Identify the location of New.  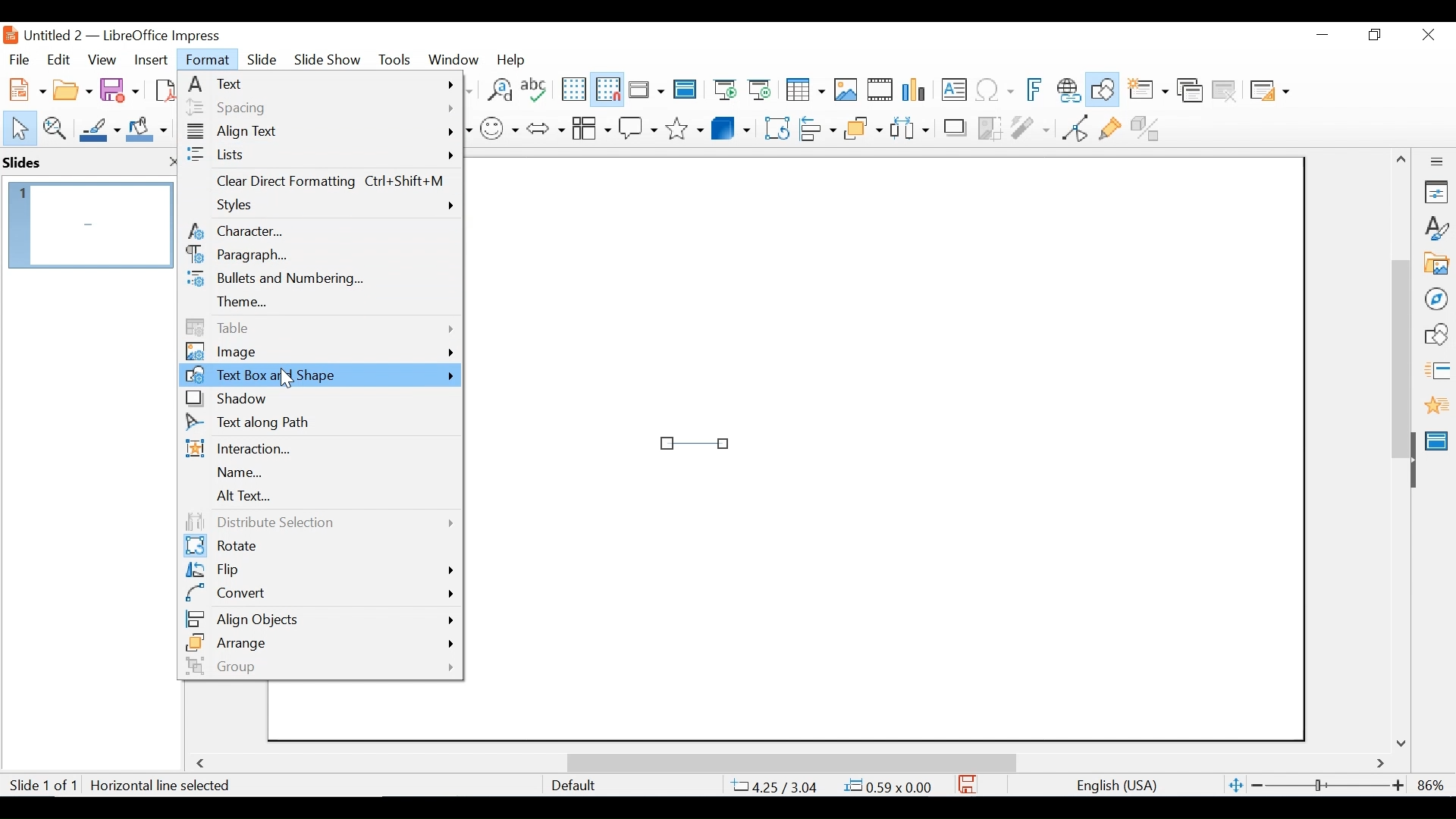
(24, 88).